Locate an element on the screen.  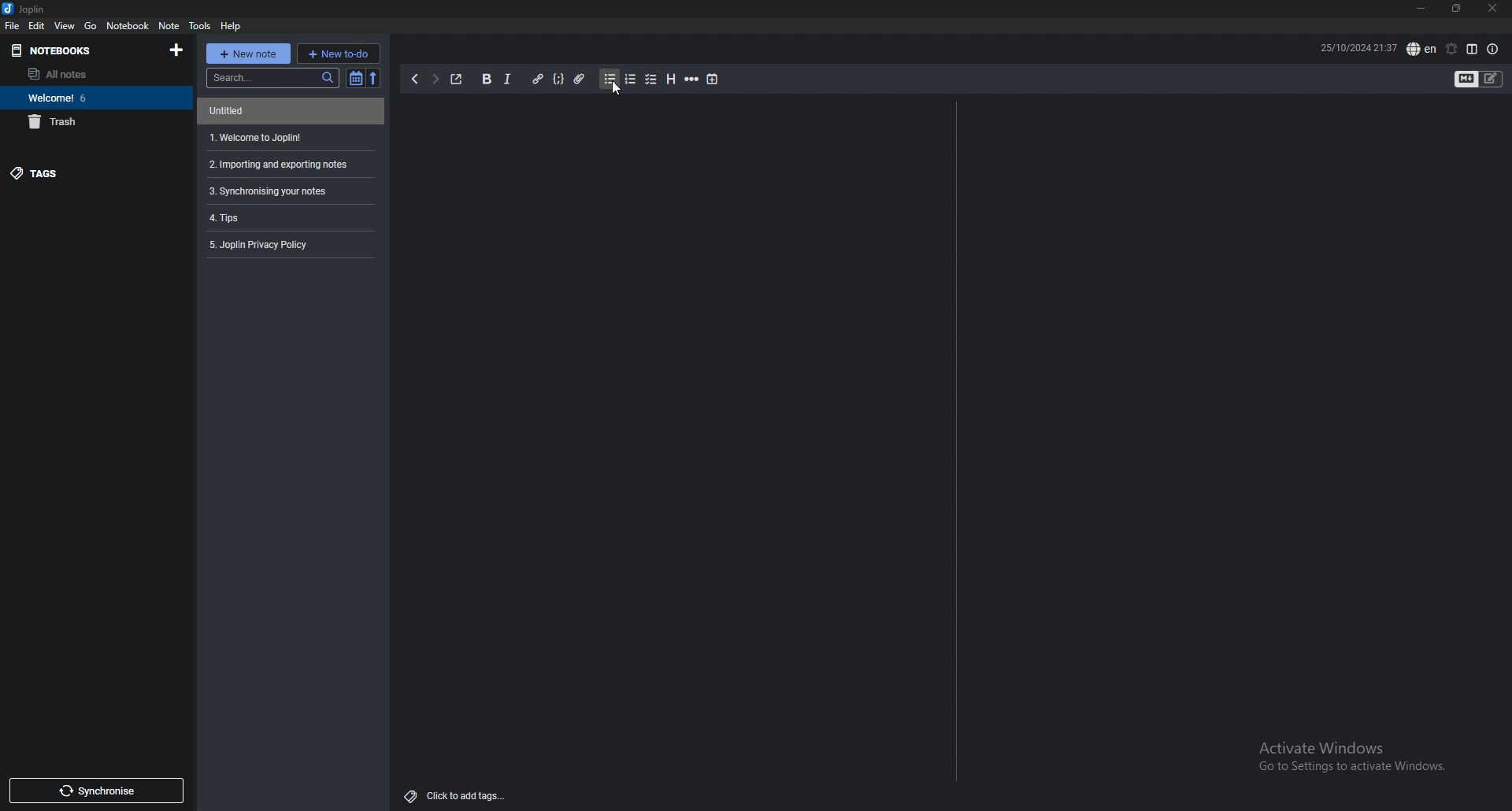
View is located at coordinates (63, 24).